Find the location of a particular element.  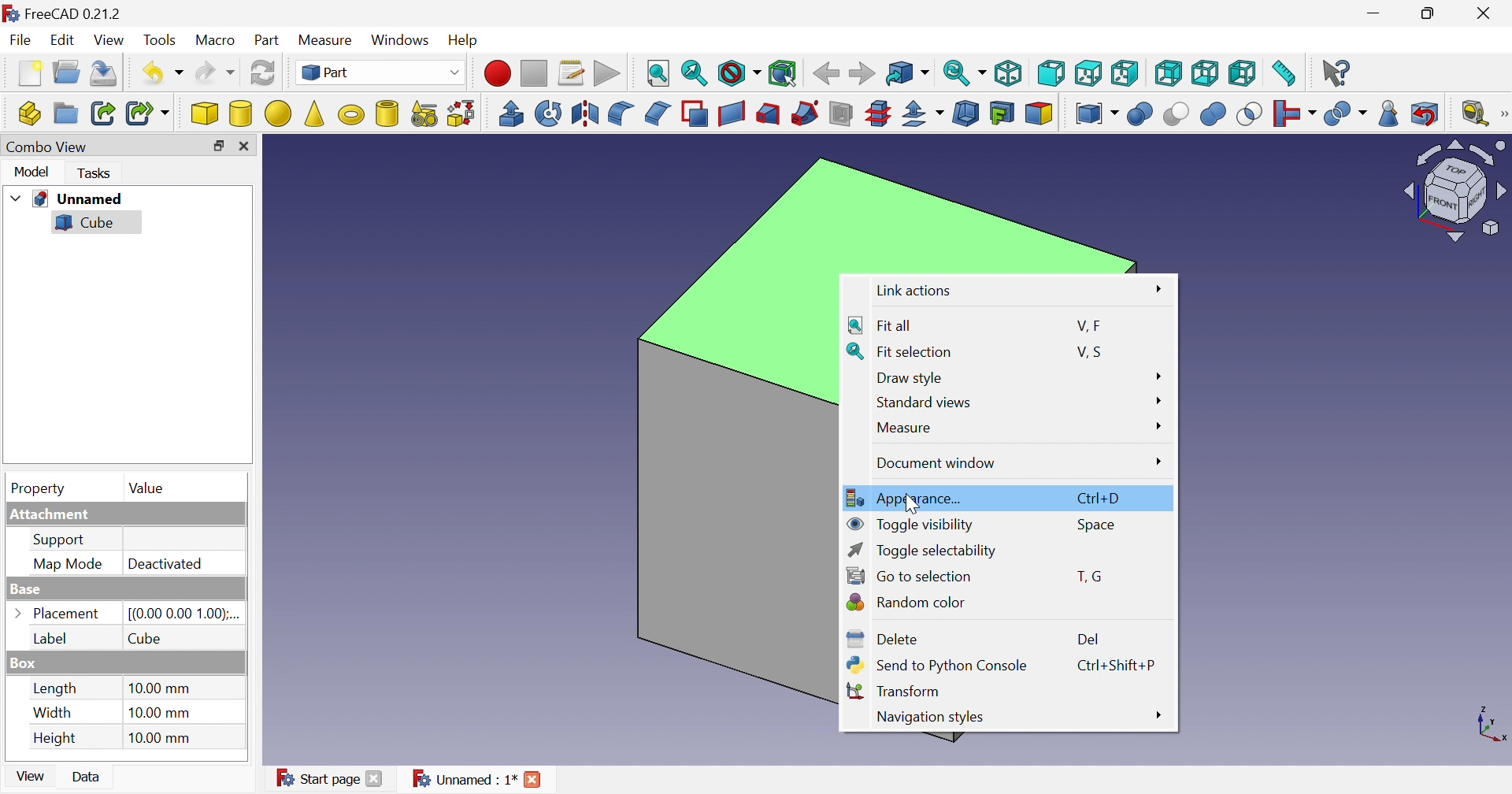

More is located at coordinates (1157, 462).